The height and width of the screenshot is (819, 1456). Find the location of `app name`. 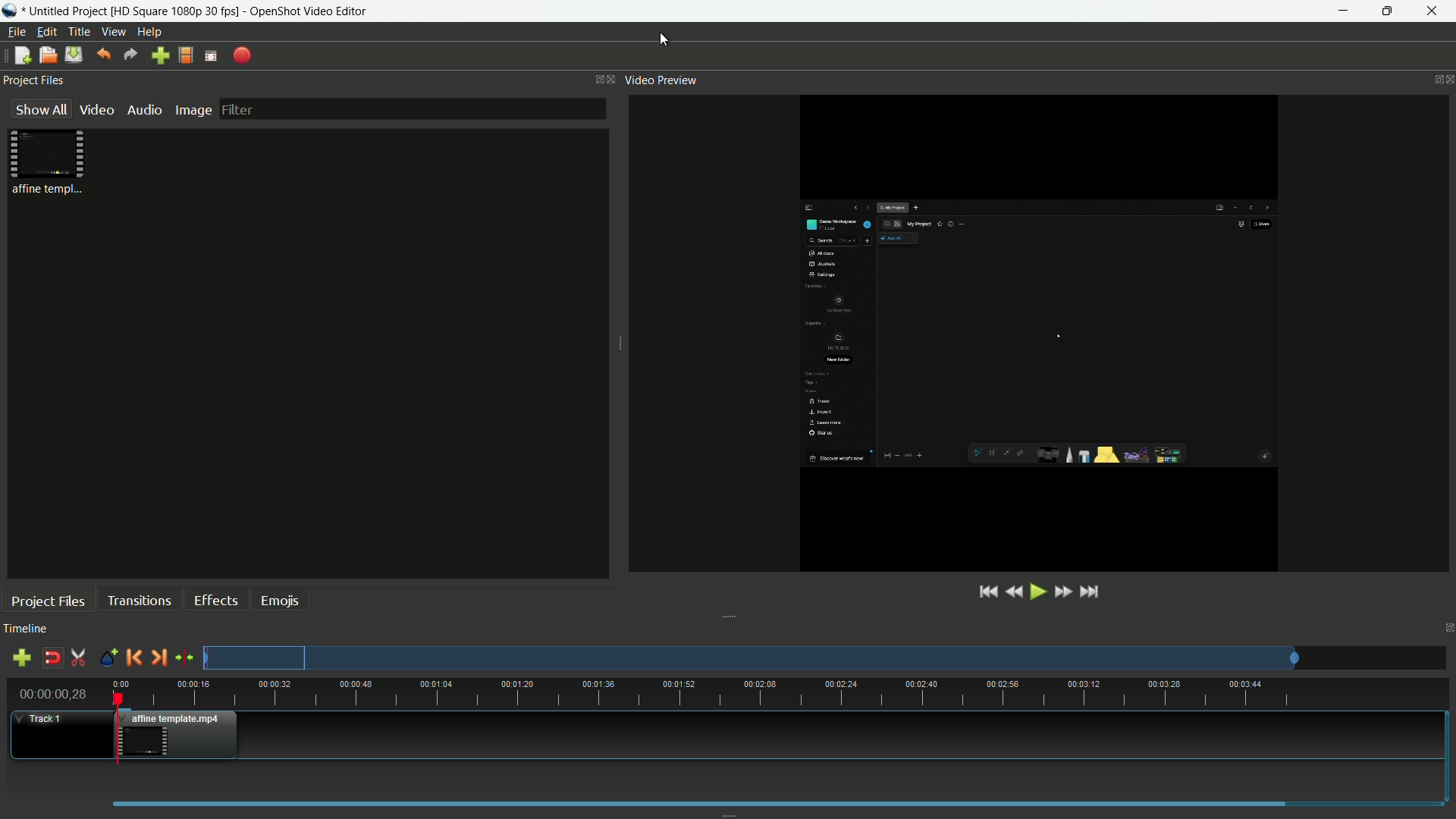

app name is located at coordinates (309, 11).